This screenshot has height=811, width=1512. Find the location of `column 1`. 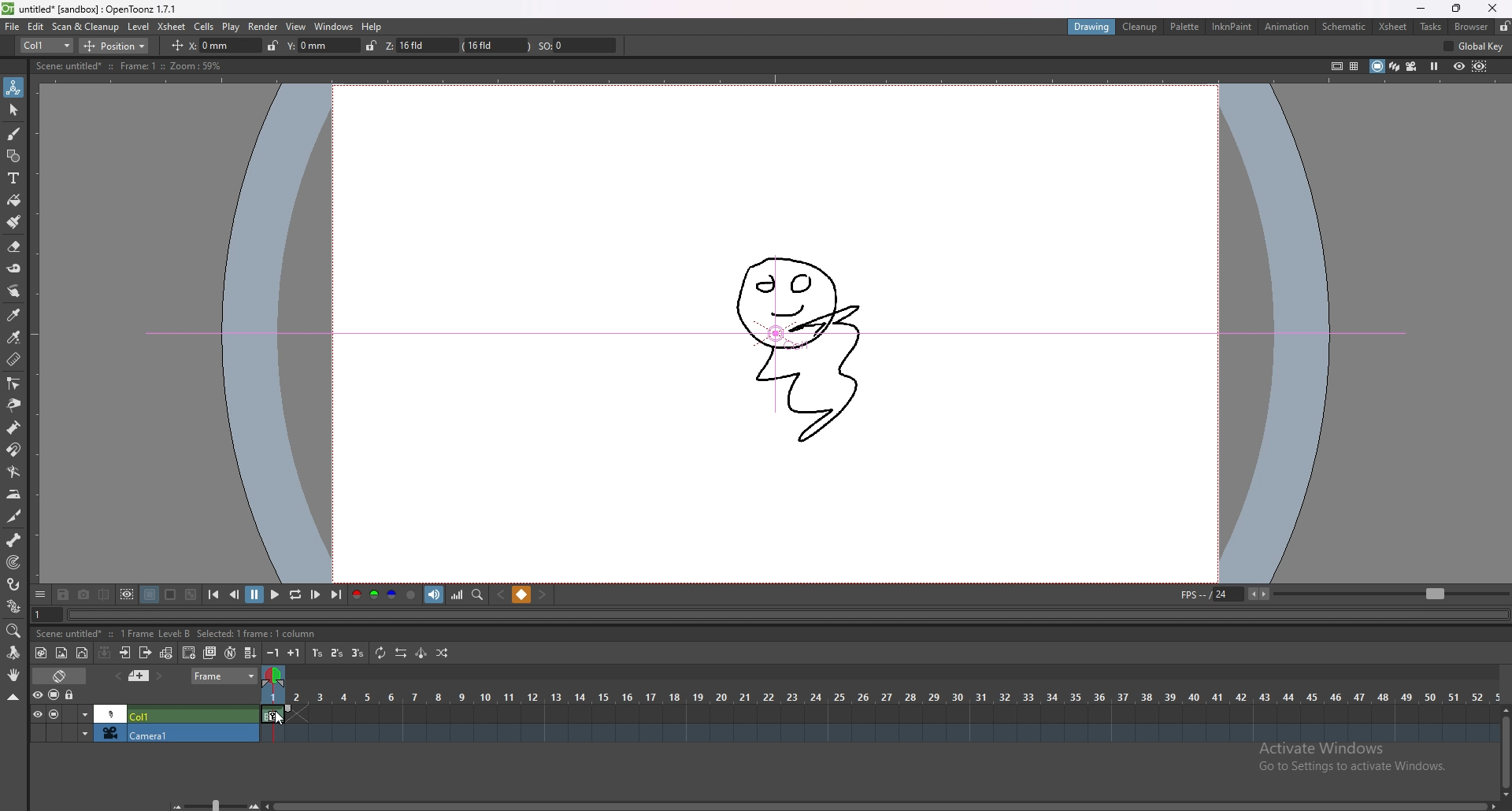

column 1 is located at coordinates (143, 713).